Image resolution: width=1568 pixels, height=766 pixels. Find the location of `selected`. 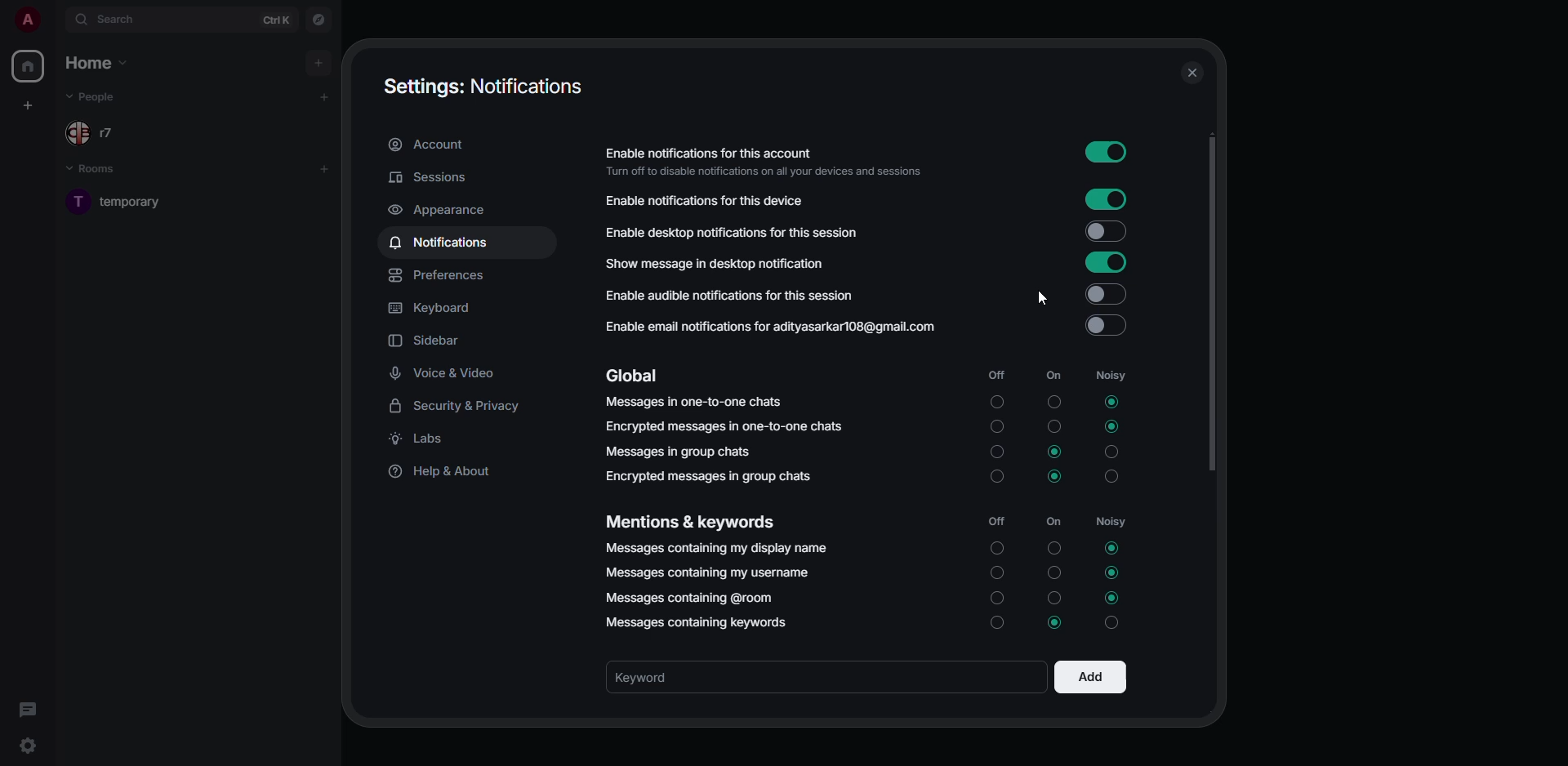

selected is located at coordinates (1055, 453).